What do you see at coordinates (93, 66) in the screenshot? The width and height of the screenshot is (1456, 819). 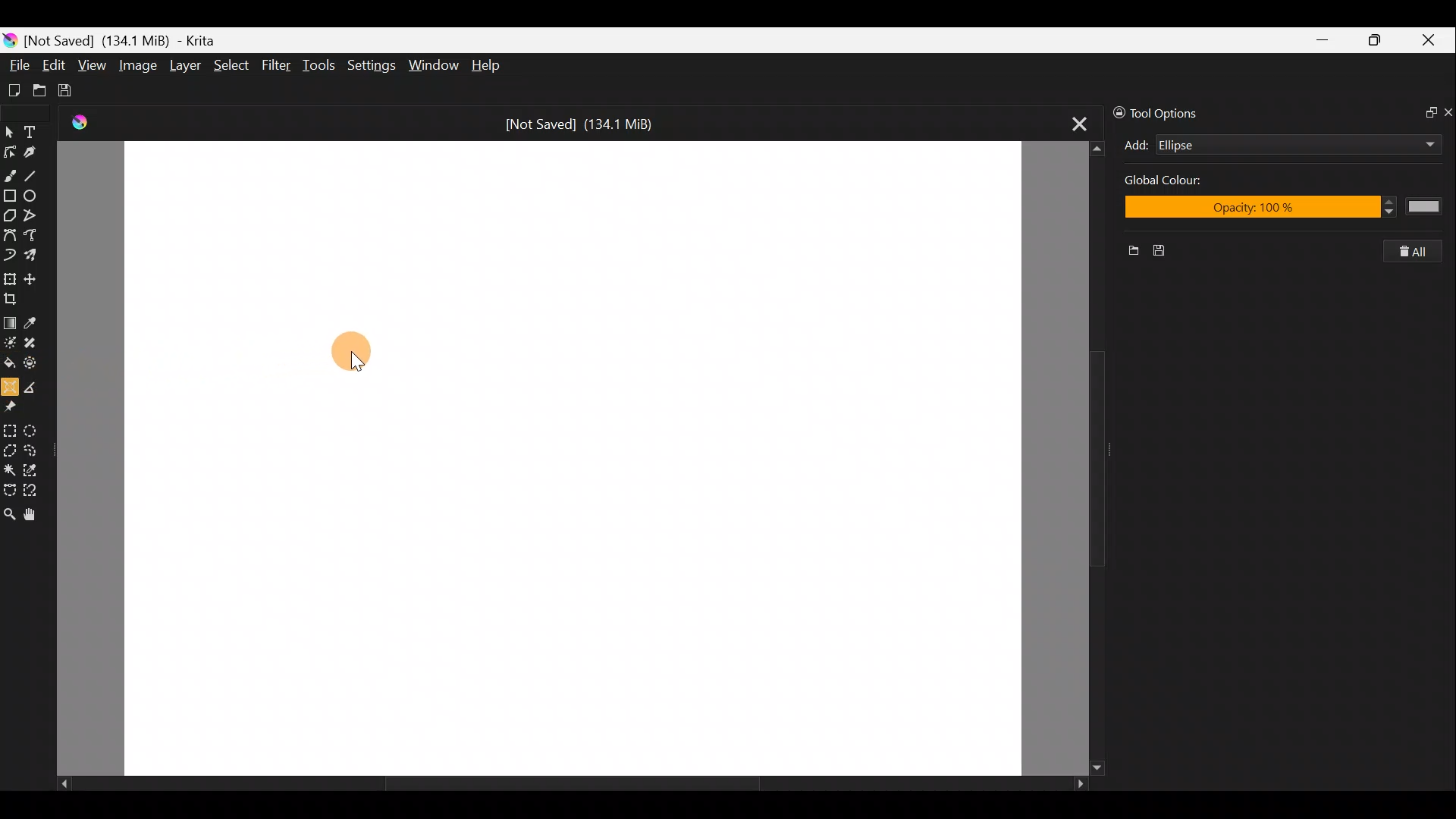 I see `View` at bounding box center [93, 66].